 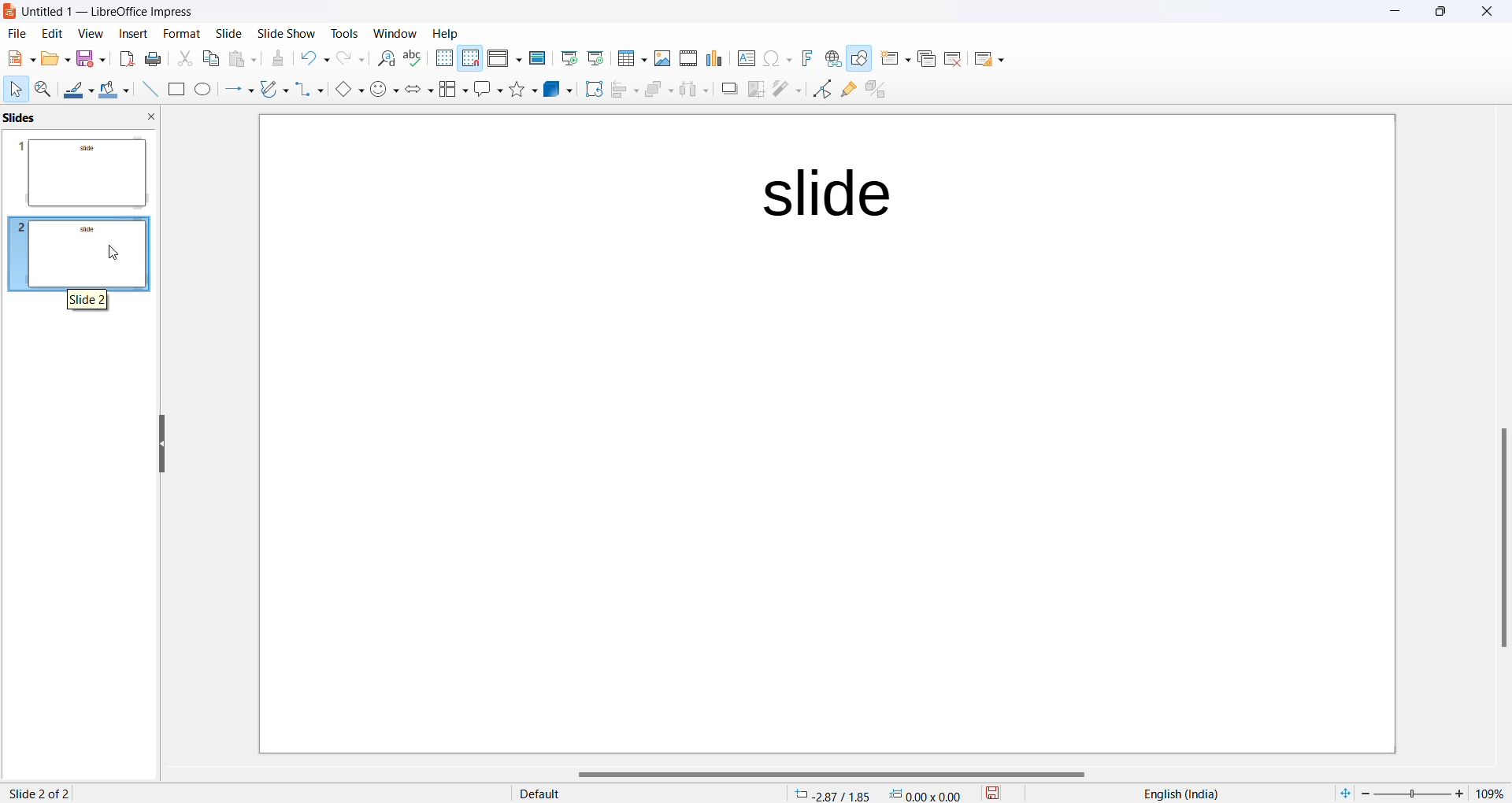 What do you see at coordinates (443, 58) in the screenshot?
I see `Display grid` at bounding box center [443, 58].